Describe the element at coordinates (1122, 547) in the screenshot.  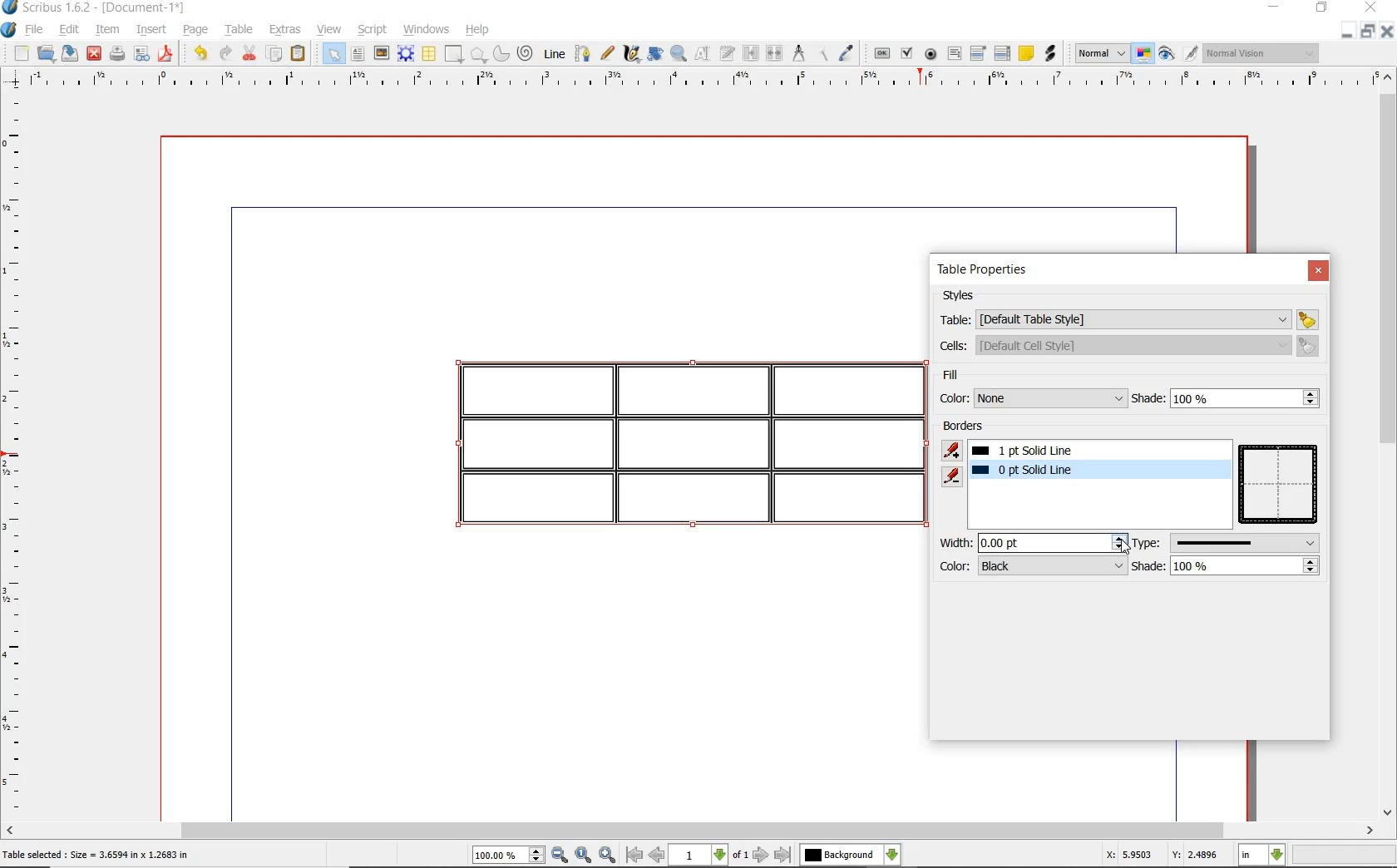
I see `cursor` at that location.